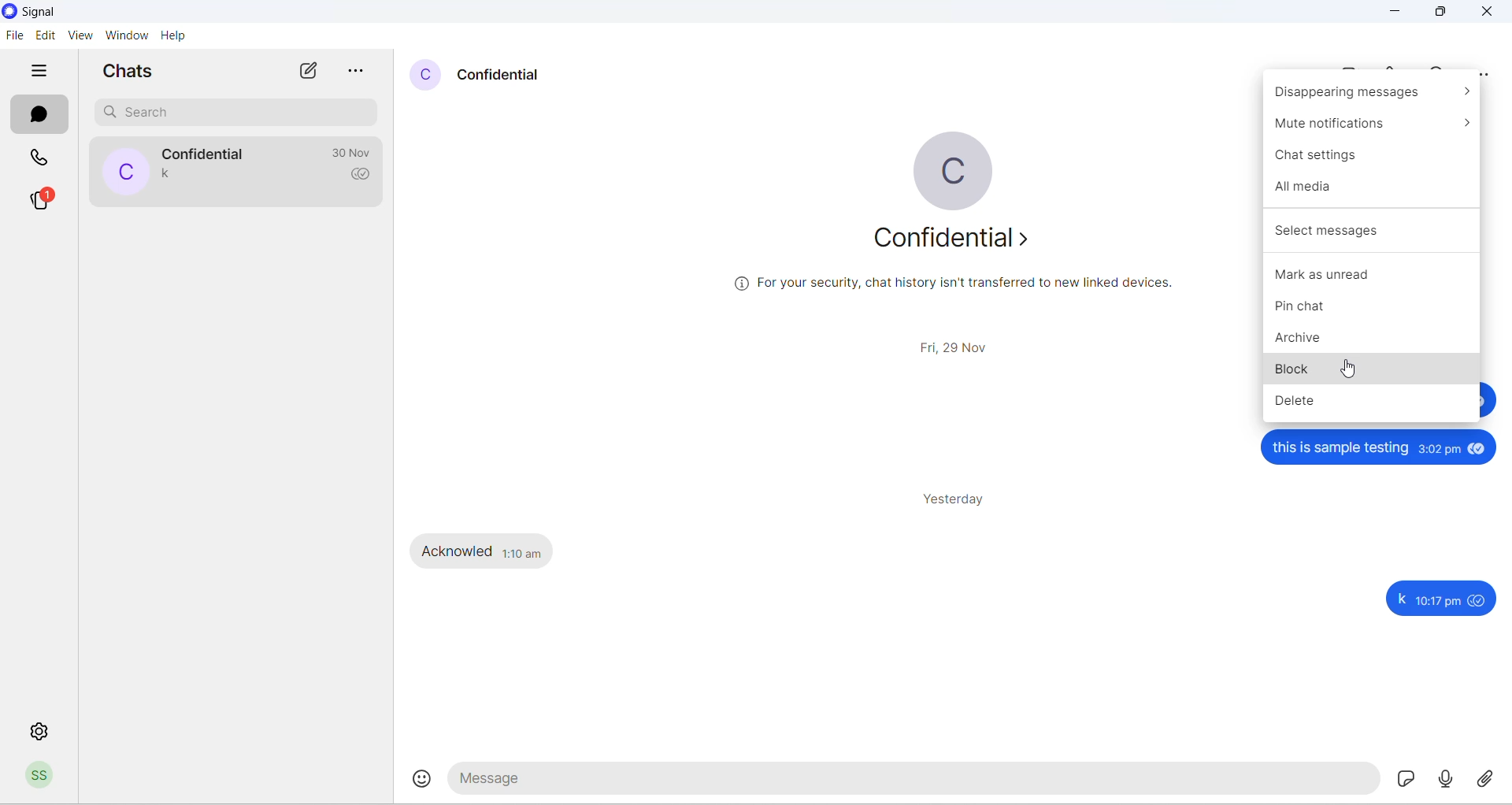  I want to click on contact name, so click(510, 76).